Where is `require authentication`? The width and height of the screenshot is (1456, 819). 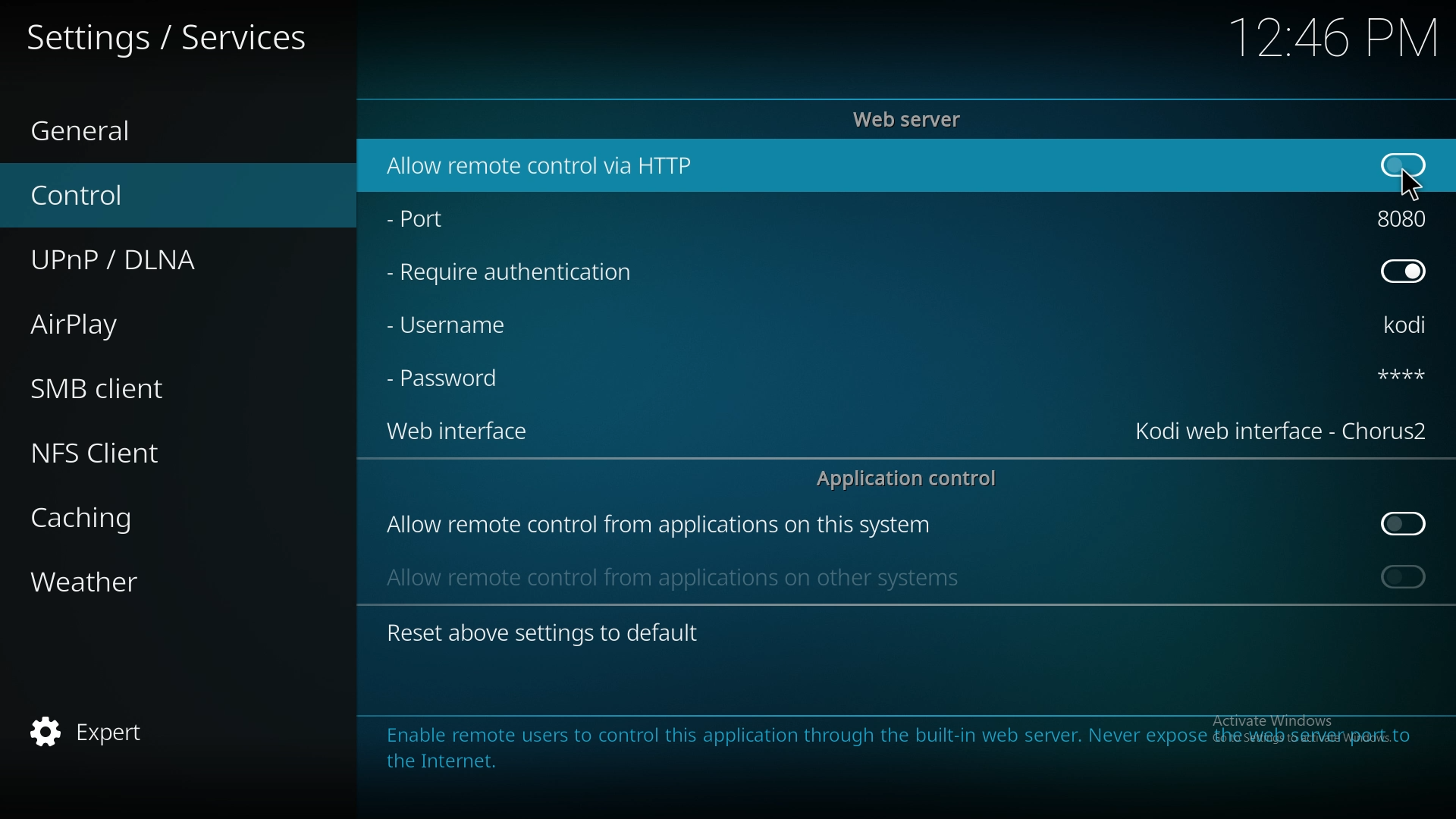 require authentication is located at coordinates (512, 273).